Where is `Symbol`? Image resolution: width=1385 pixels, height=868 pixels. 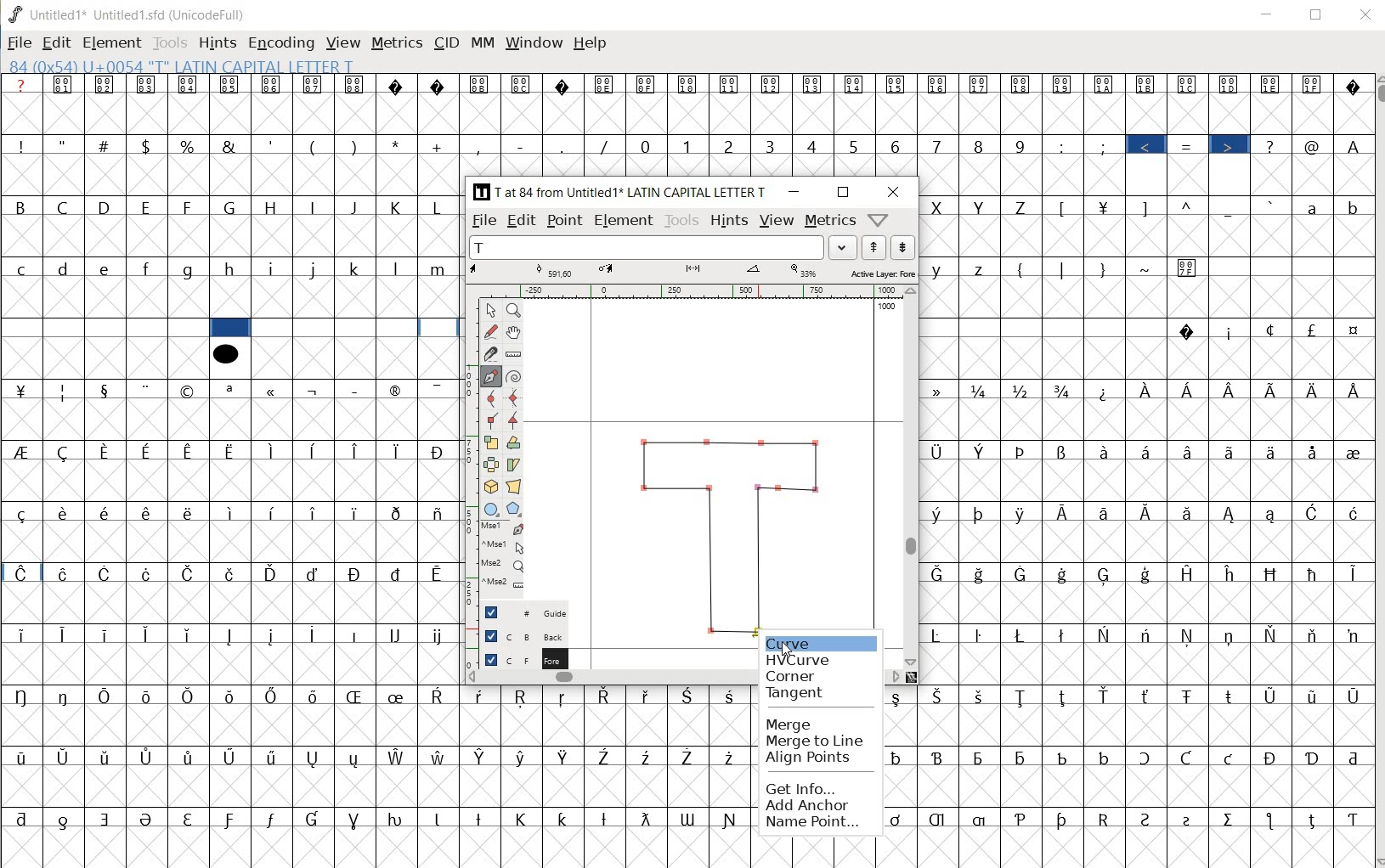
Symbol is located at coordinates (1190, 392).